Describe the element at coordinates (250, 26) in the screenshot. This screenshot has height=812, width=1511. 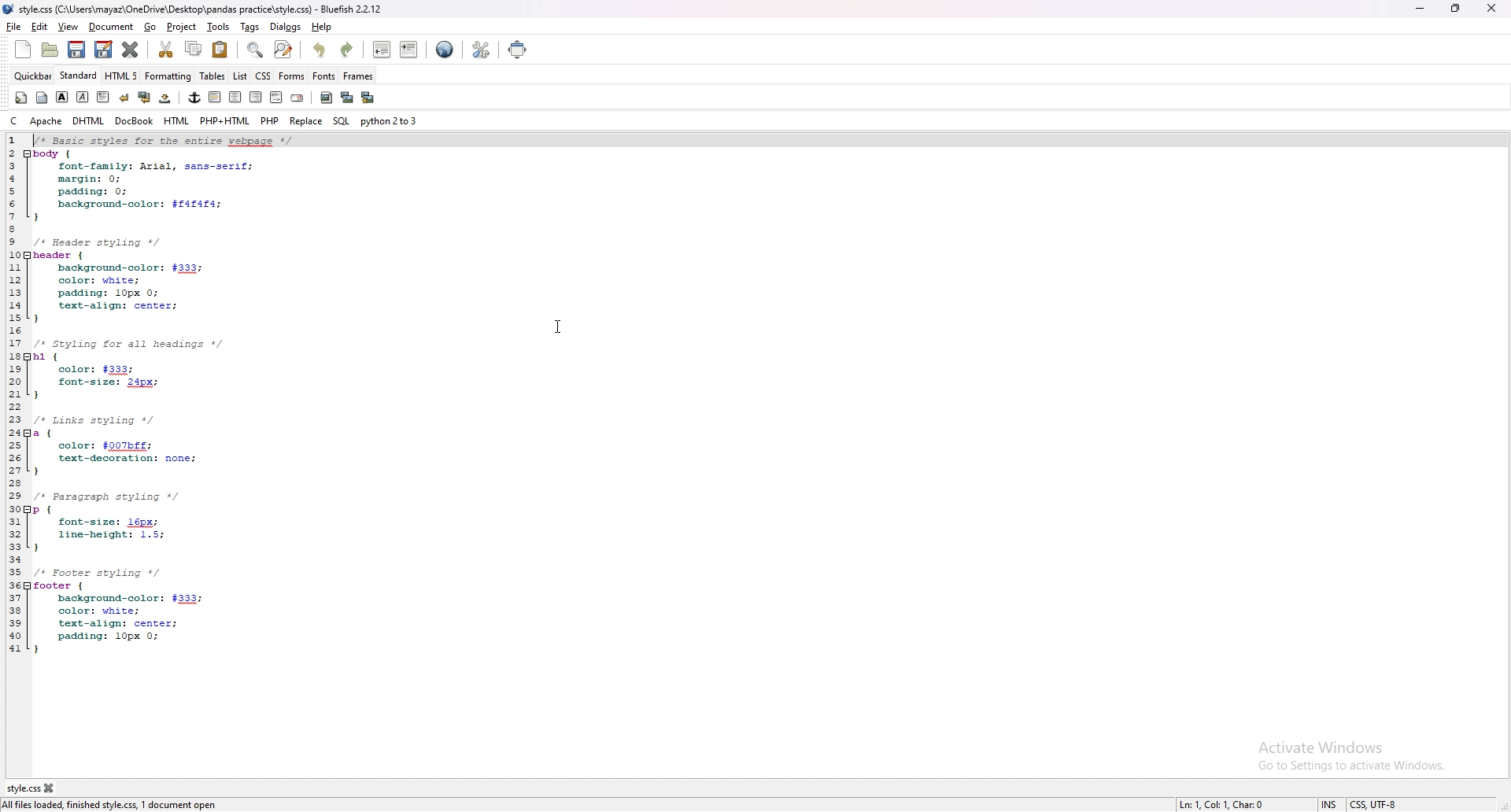
I see `tags` at that location.